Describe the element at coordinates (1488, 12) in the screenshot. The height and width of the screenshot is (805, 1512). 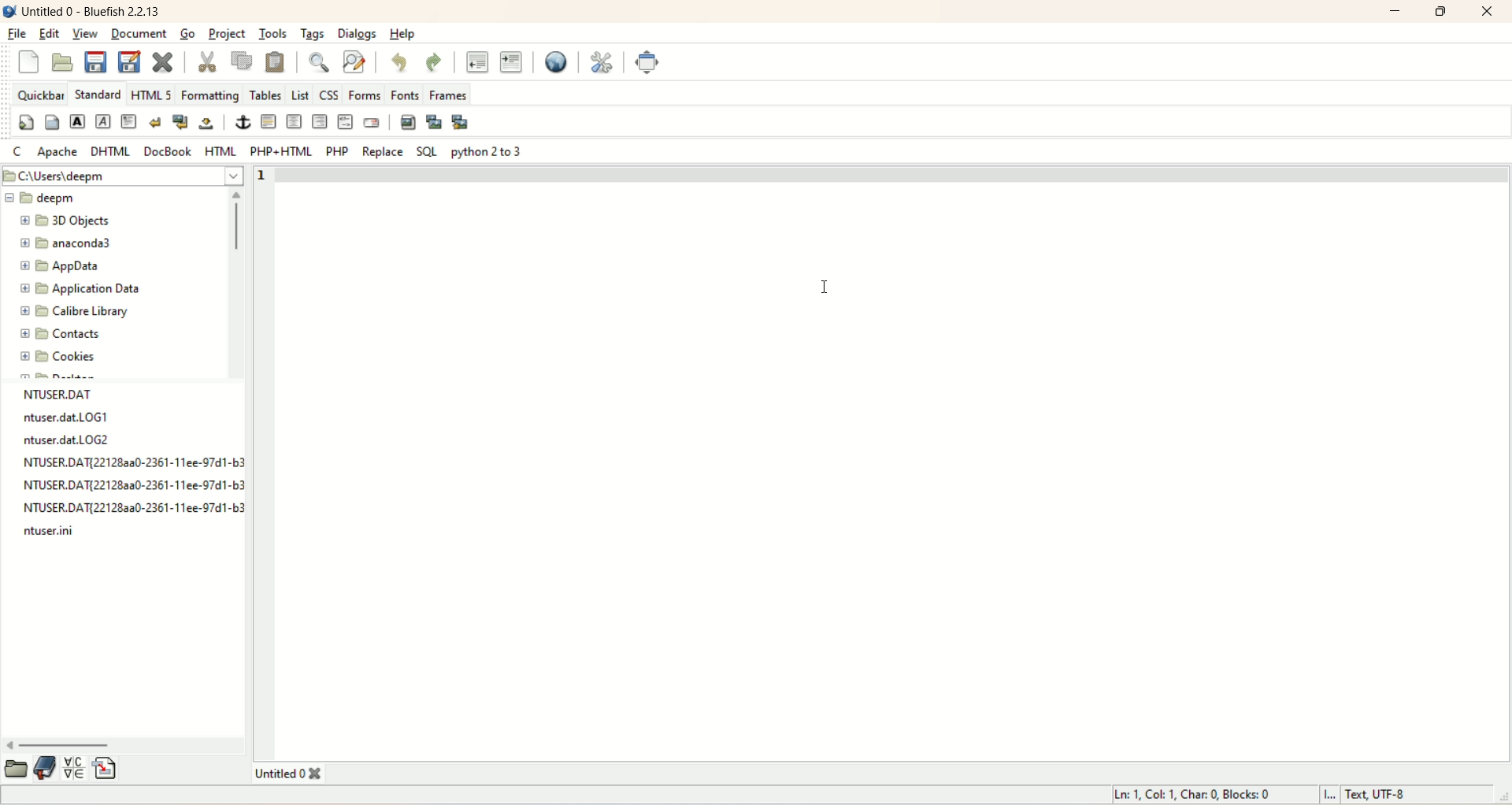
I see `close` at that location.